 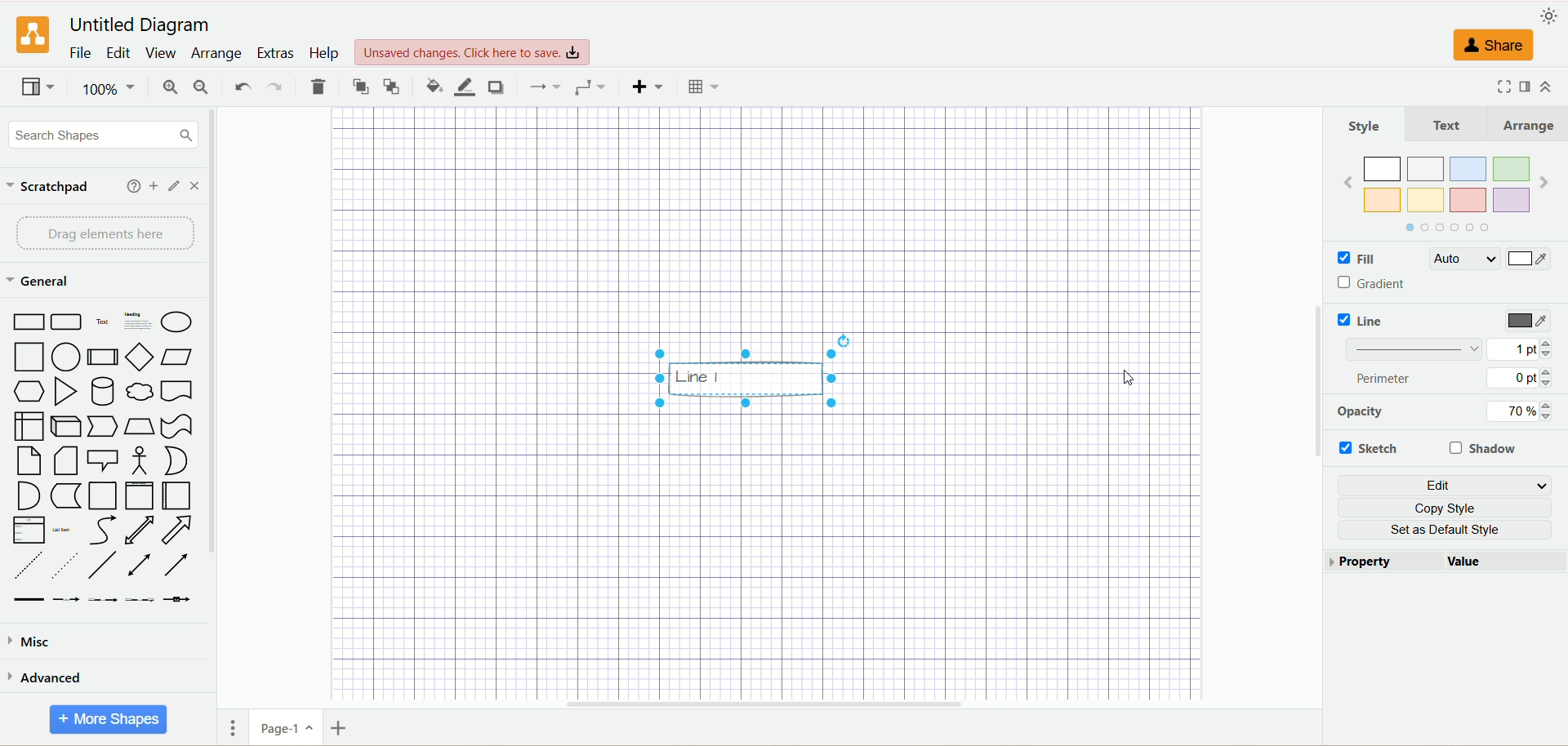 What do you see at coordinates (1526, 87) in the screenshot?
I see `format` at bounding box center [1526, 87].